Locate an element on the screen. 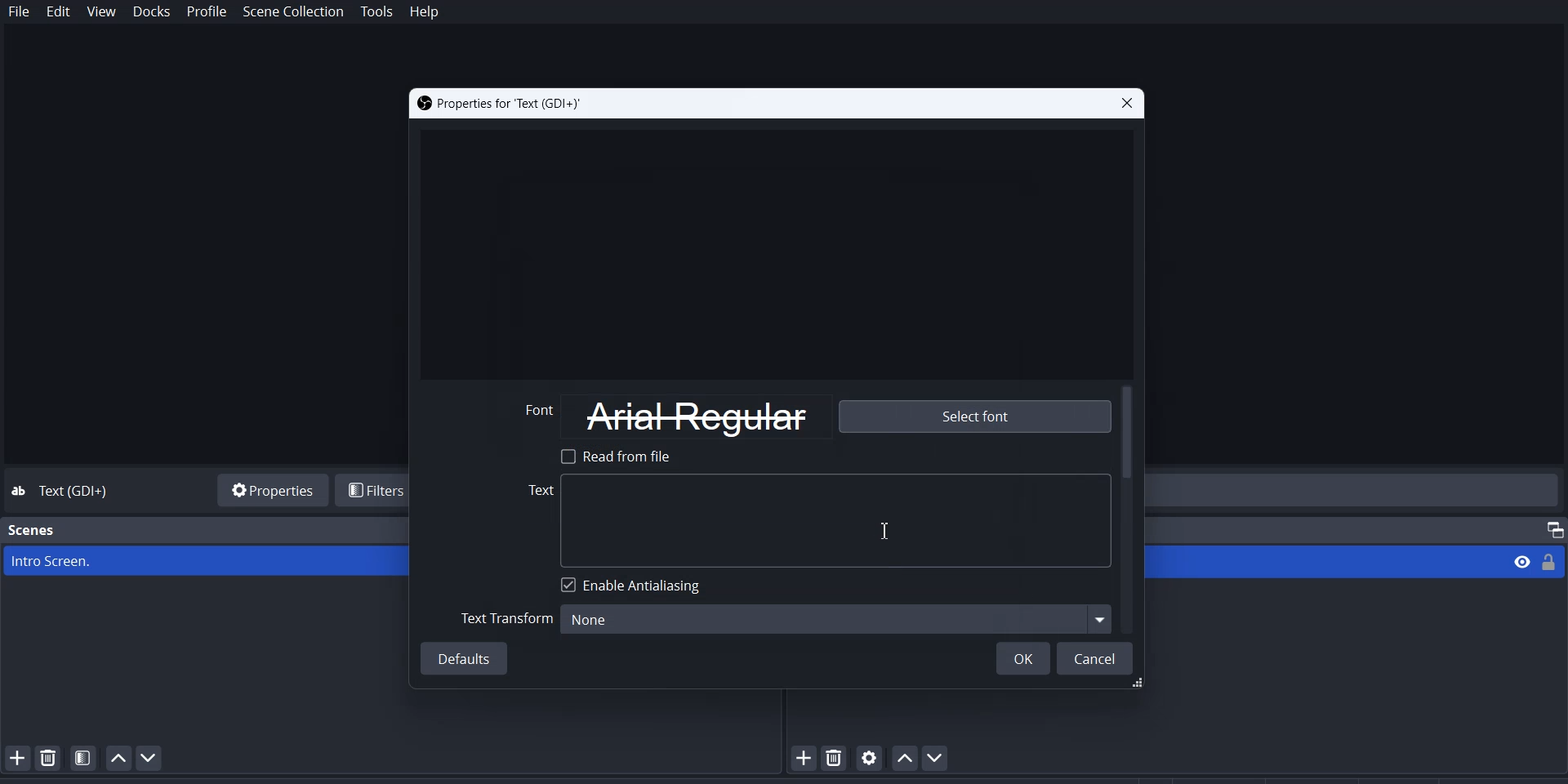 This screenshot has height=784, width=1568. Lock is located at coordinates (1553, 561).